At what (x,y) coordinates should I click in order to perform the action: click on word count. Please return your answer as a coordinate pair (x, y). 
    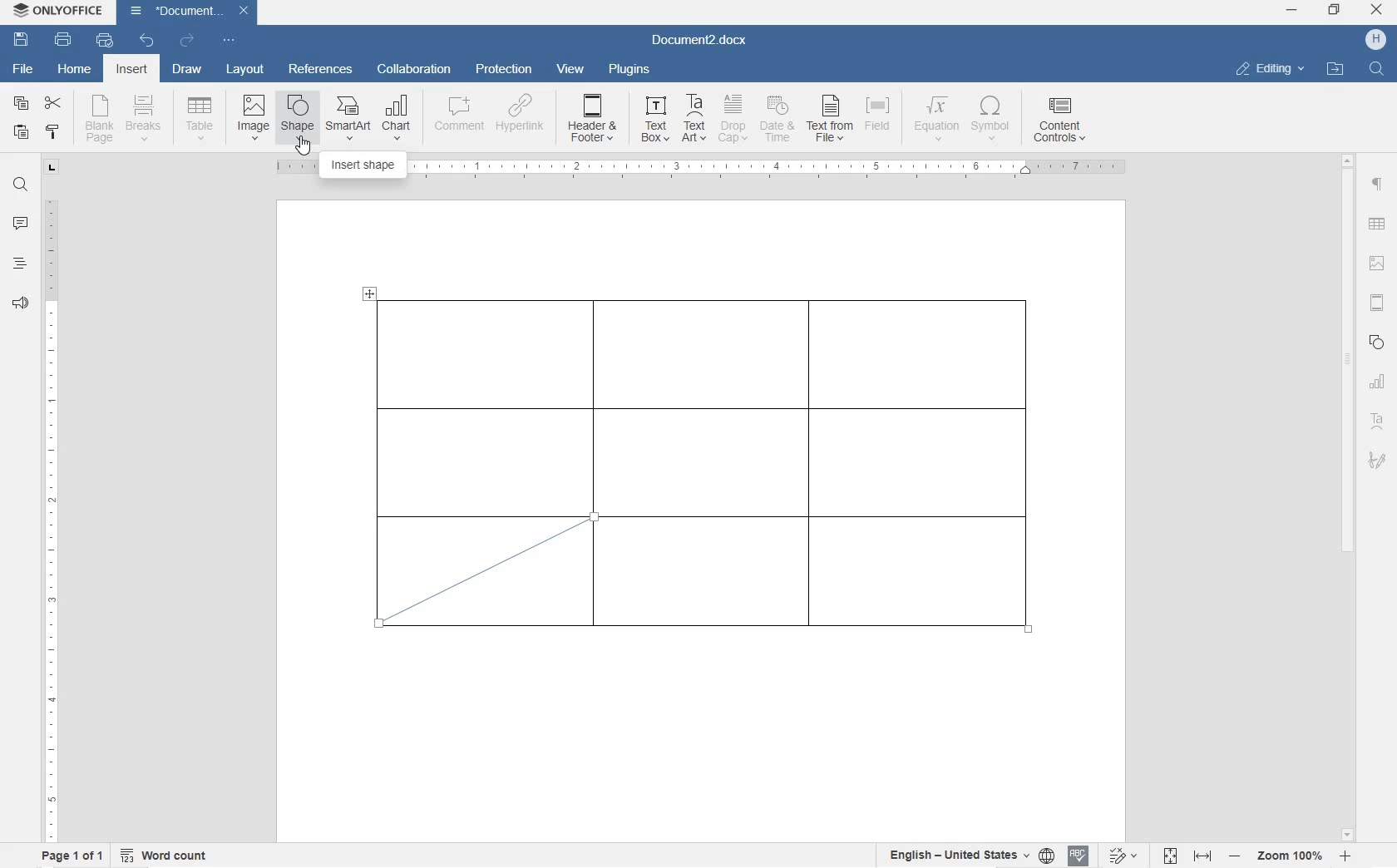
    Looking at the image, I should click on (165, 855).